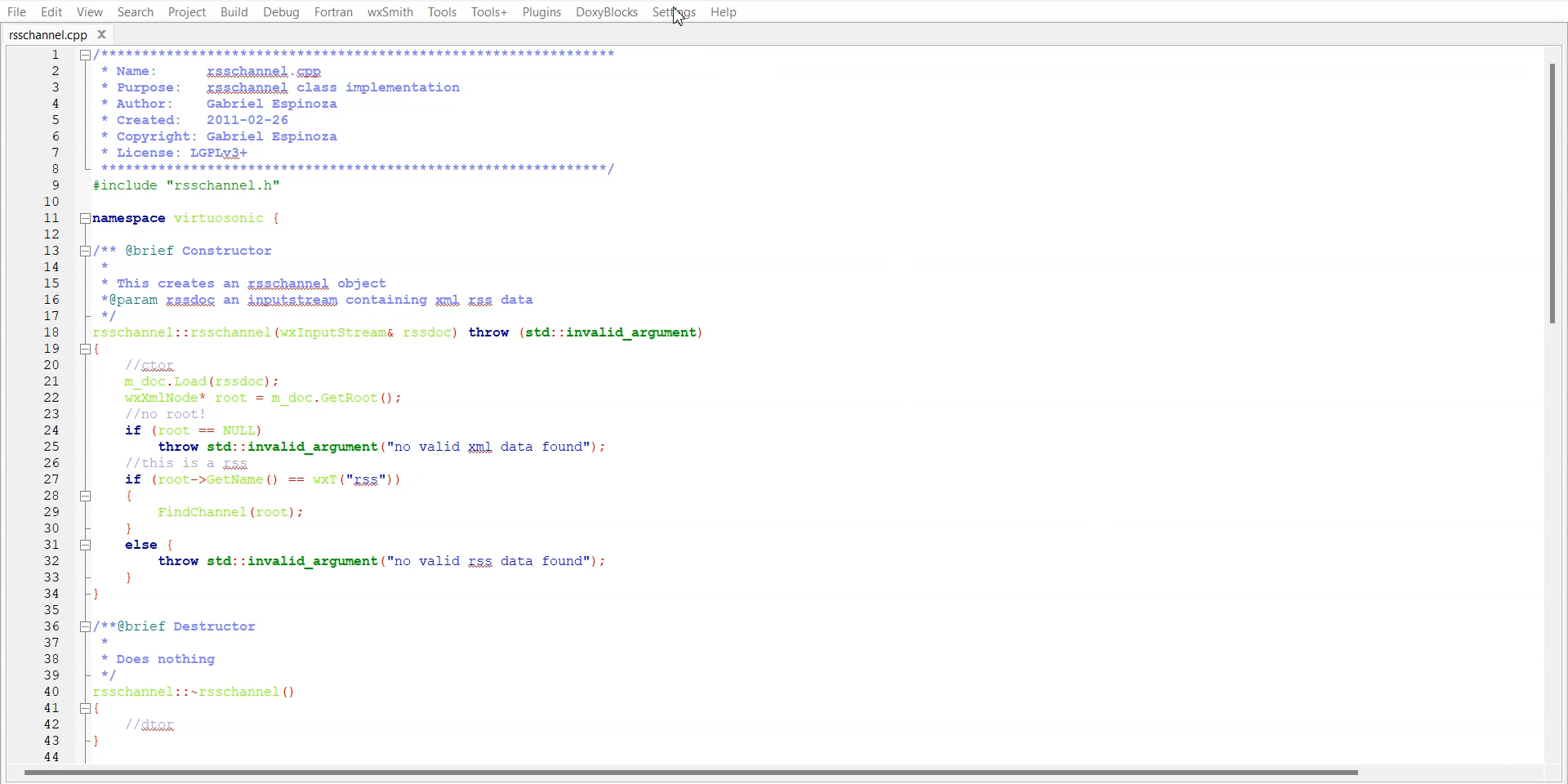 This screenshot has width=1568, height=784. Describe the element at coordinates (333, 12) in the screenshot. I see `Fortran` at that location.